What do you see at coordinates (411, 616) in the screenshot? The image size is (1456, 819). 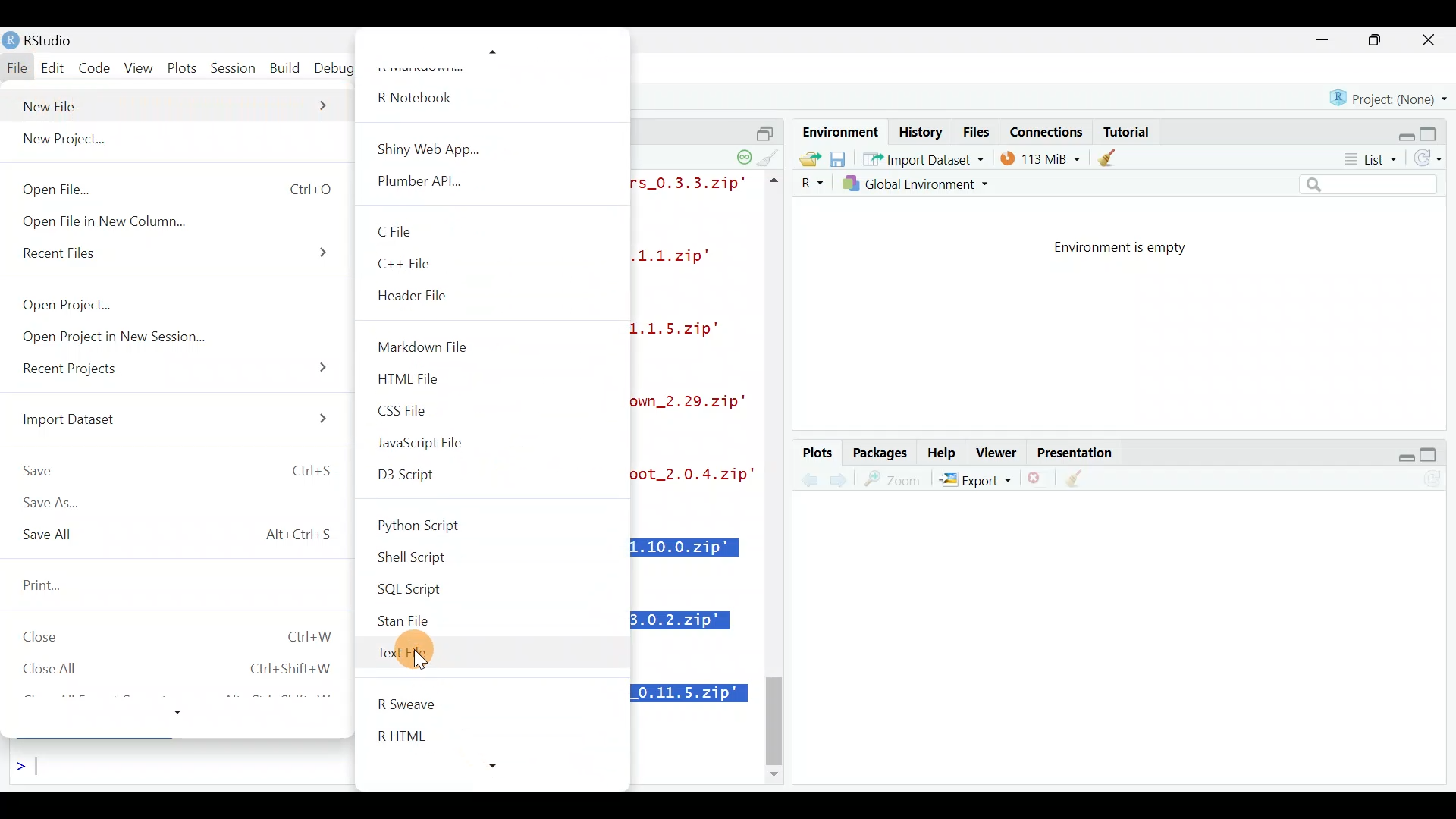 I see `Stan File` at bounding box center [411, 616].